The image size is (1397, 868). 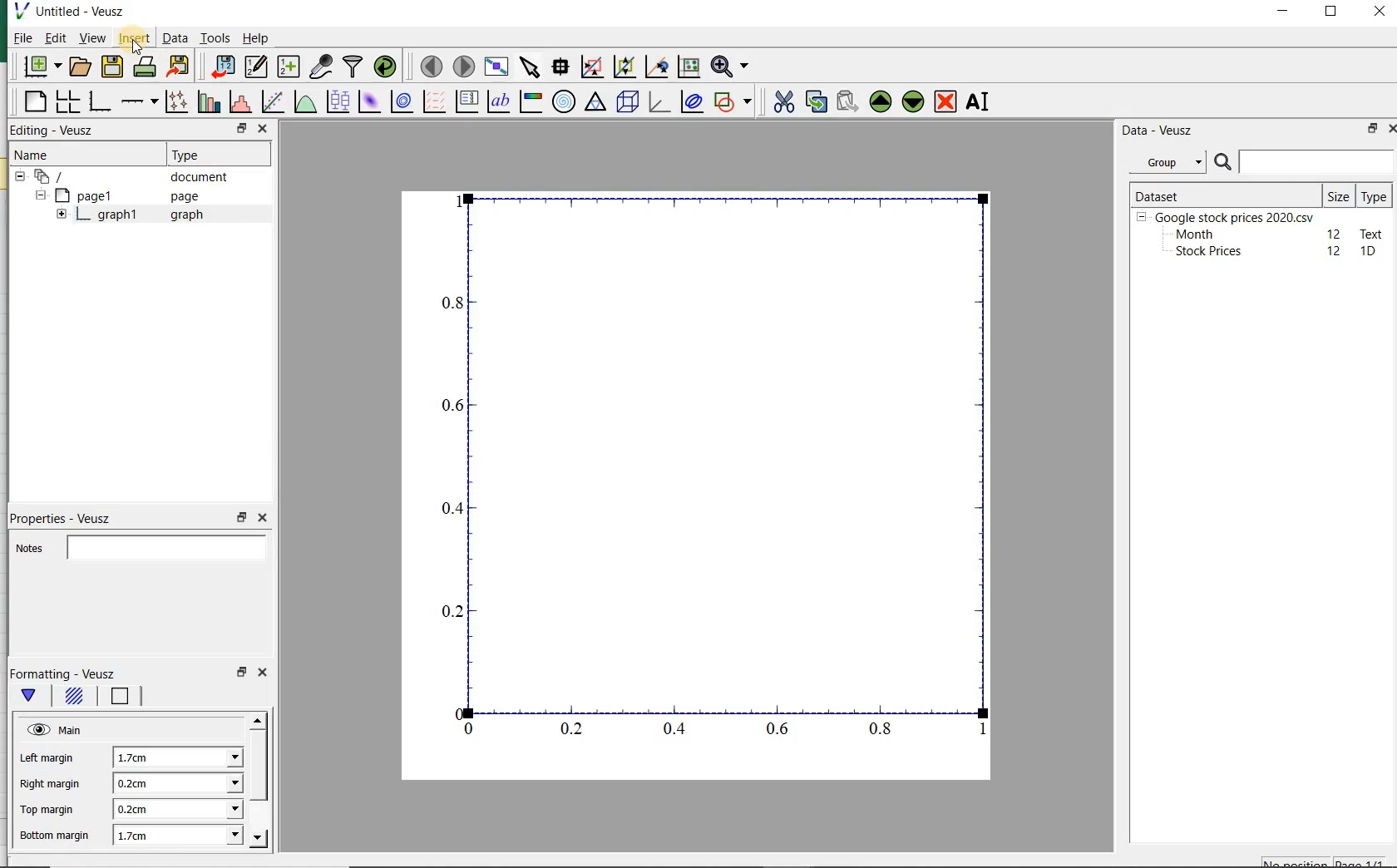 I want to click on Google stock prices 2020.csv, so click(x=1228, y=216).